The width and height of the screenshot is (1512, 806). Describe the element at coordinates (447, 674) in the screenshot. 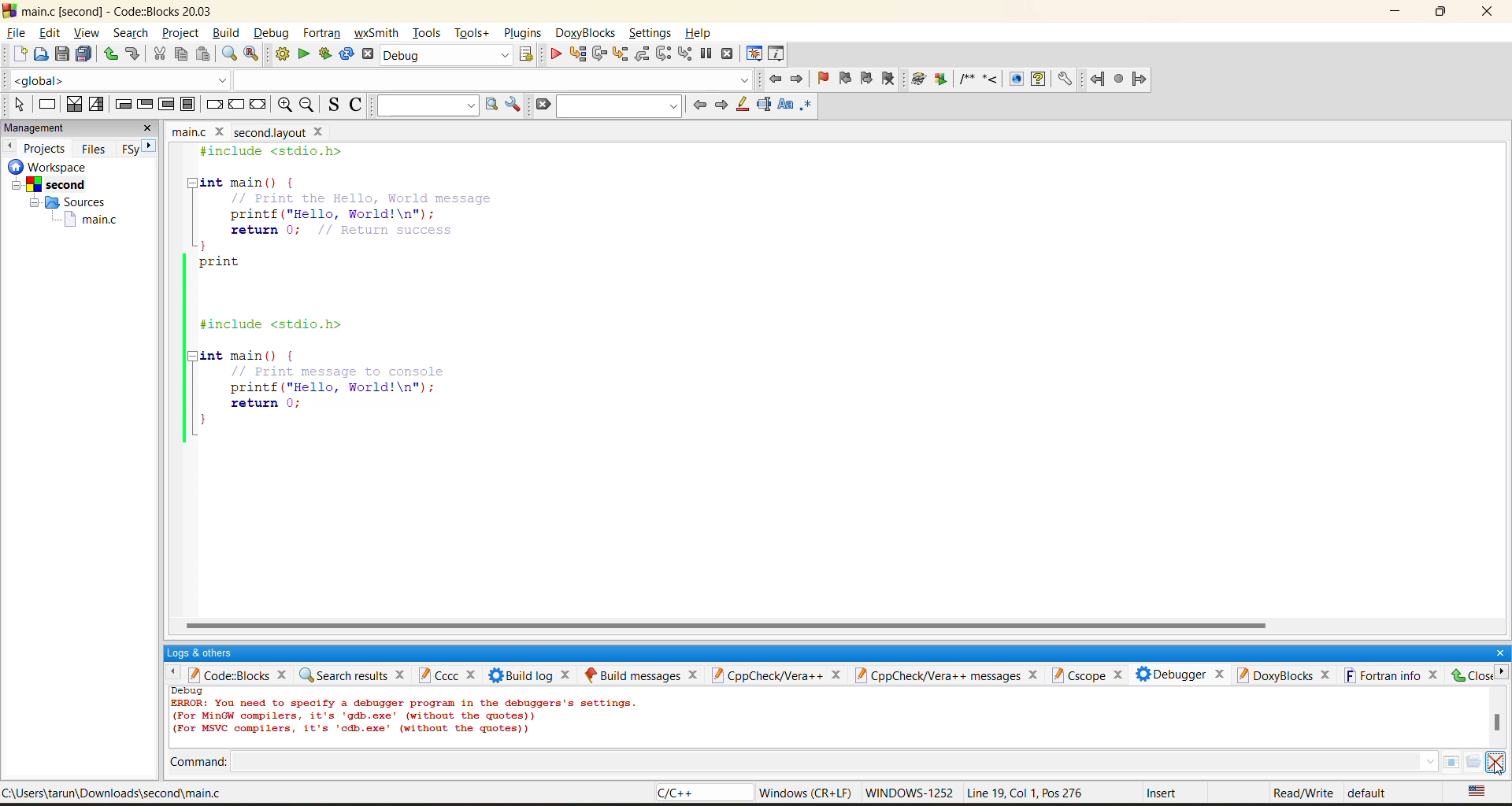

I see `cccc` at that location.